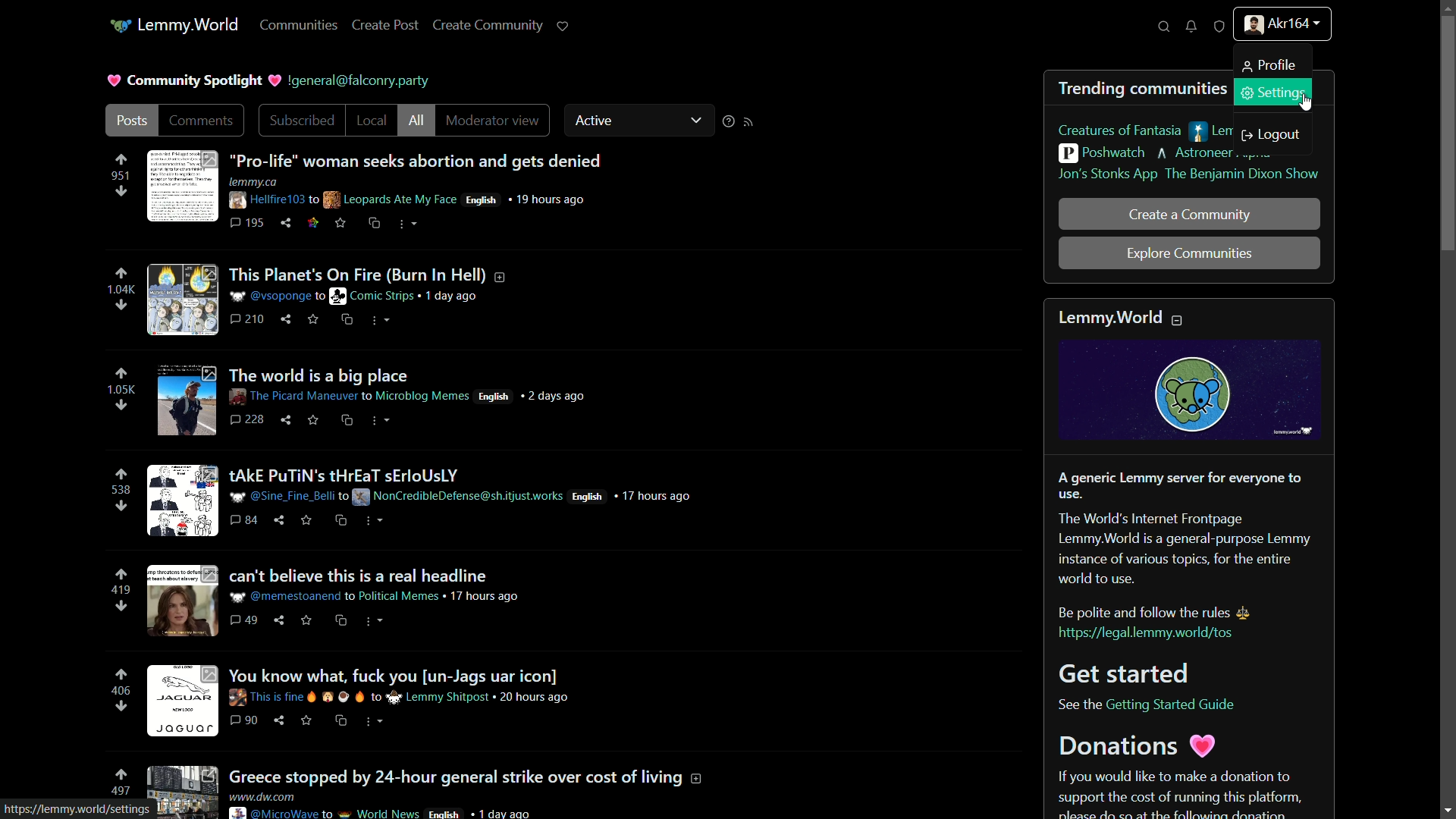  What do you see at coordinates (1307, 103) in the screenshot?
I see `cursor` at bounding box center [1307, 103].